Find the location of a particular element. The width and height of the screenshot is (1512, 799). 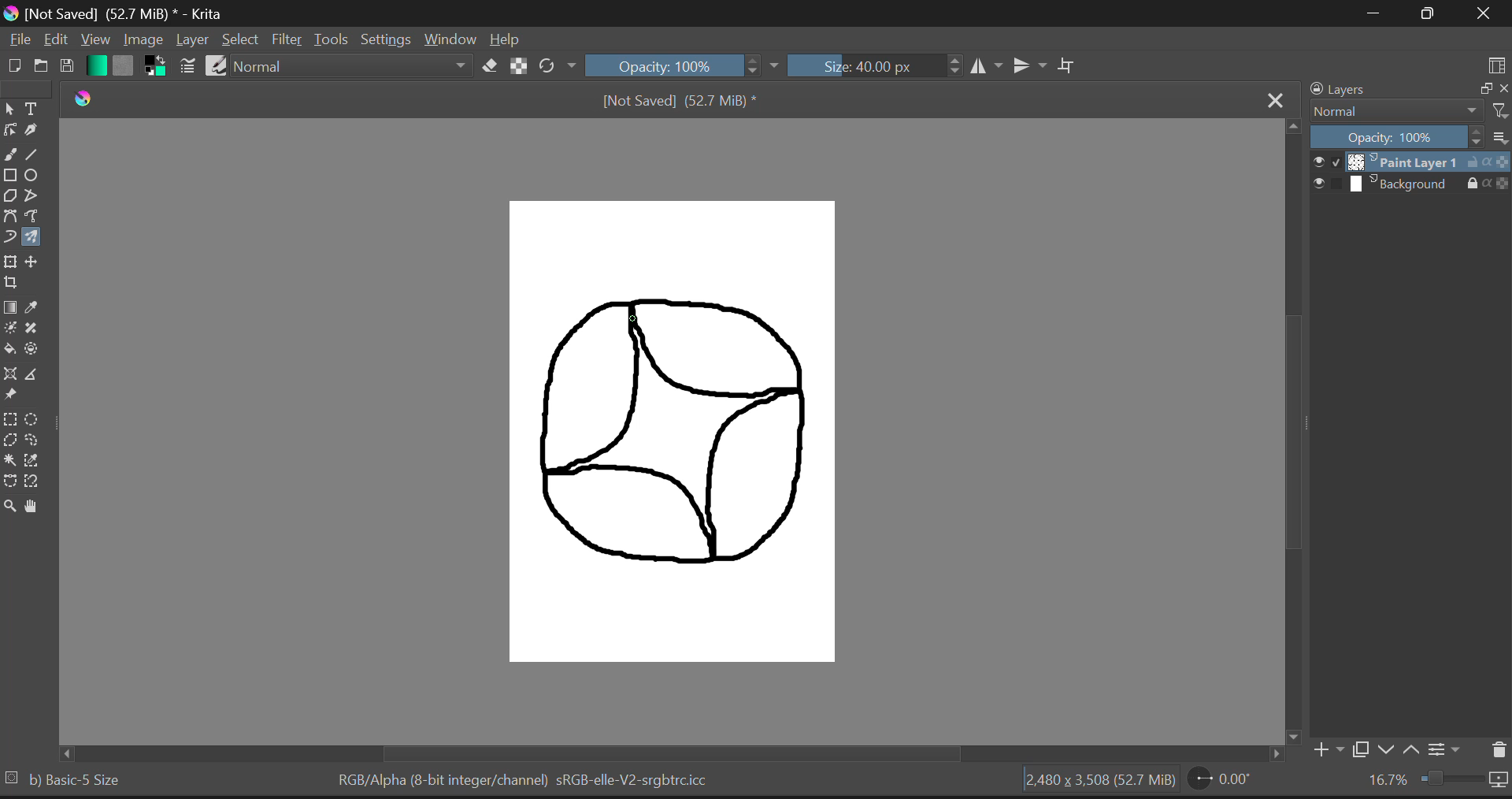

Freehand is located at coordinates (9, 153).